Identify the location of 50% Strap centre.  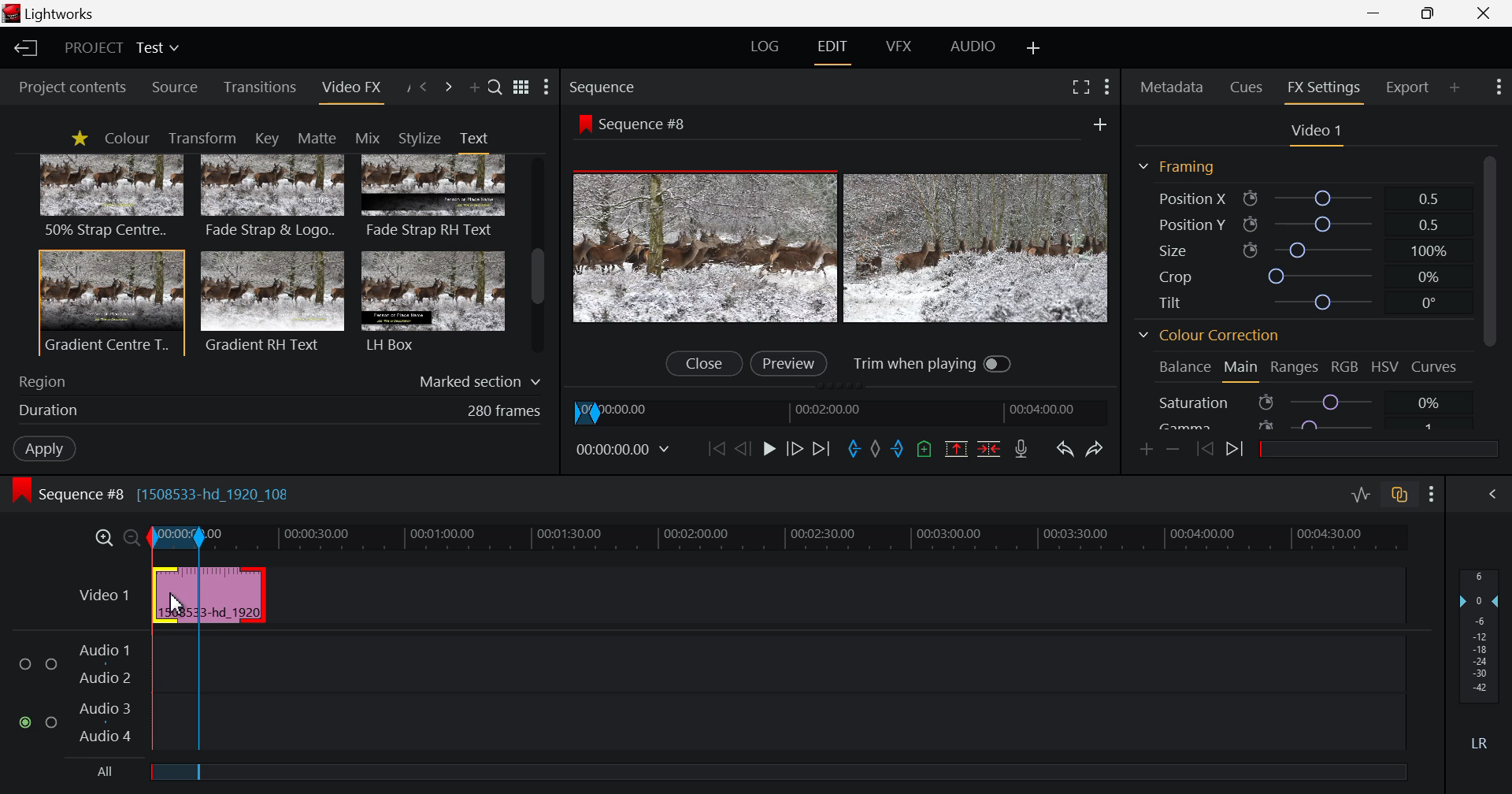
(113, 195).